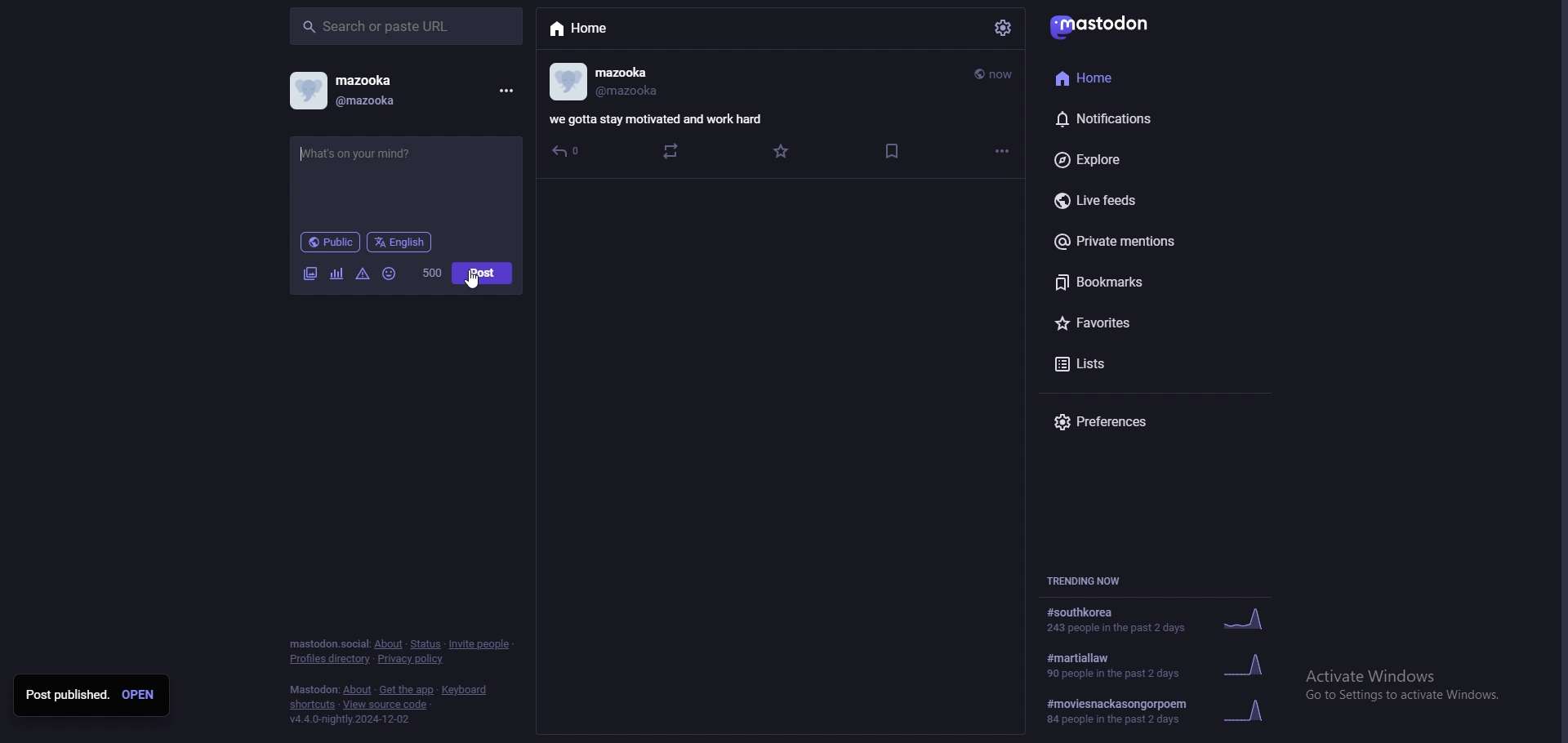  What do you see at coordinates (894, 151) in the screenshot?
I see `save` at bounding box center [894, 151].